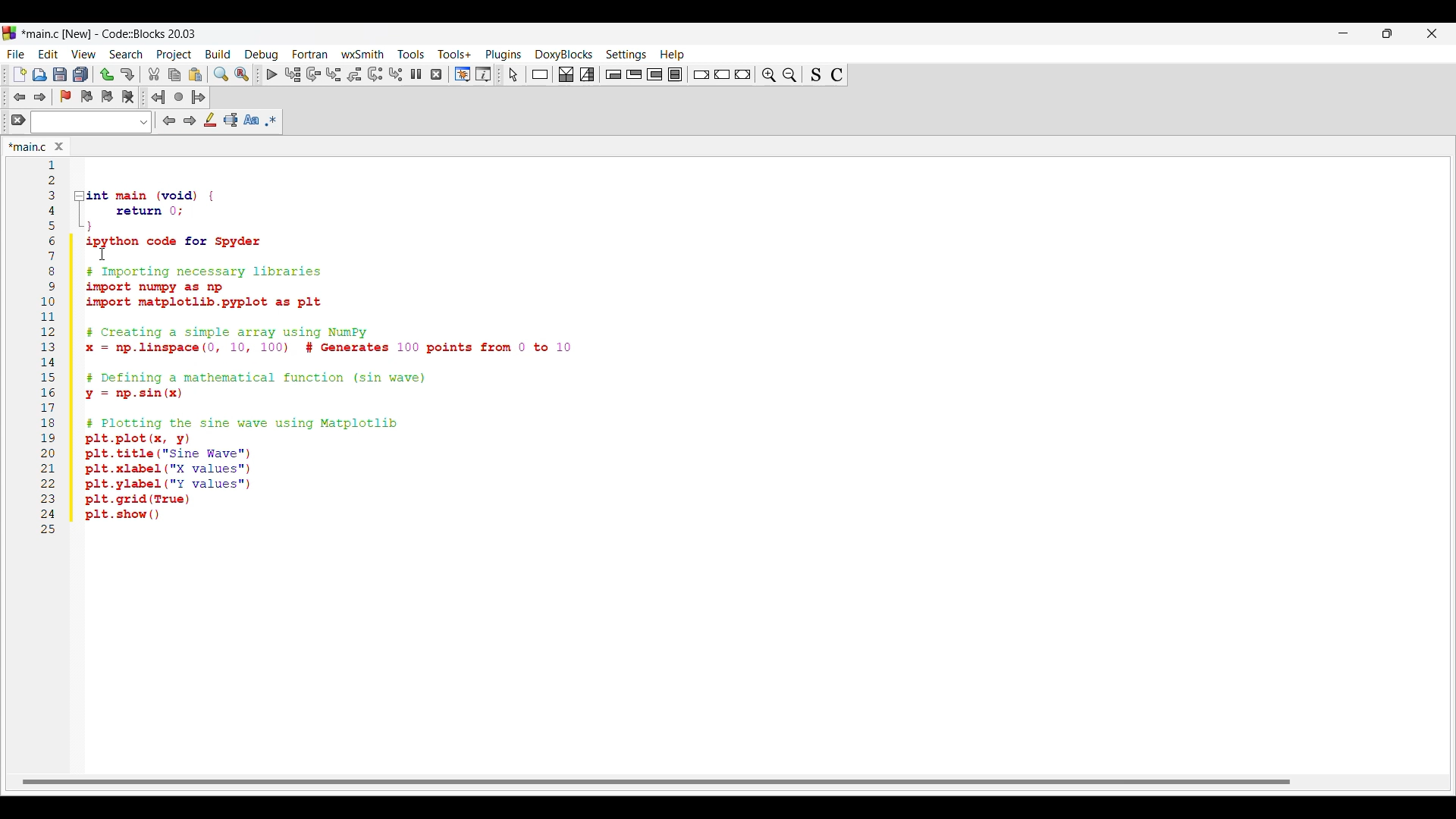 The width and height of the screenshot is (1456, 819). Describe the element at coordinates (314, 74) in the screenshot. I see `Next line` at that location.